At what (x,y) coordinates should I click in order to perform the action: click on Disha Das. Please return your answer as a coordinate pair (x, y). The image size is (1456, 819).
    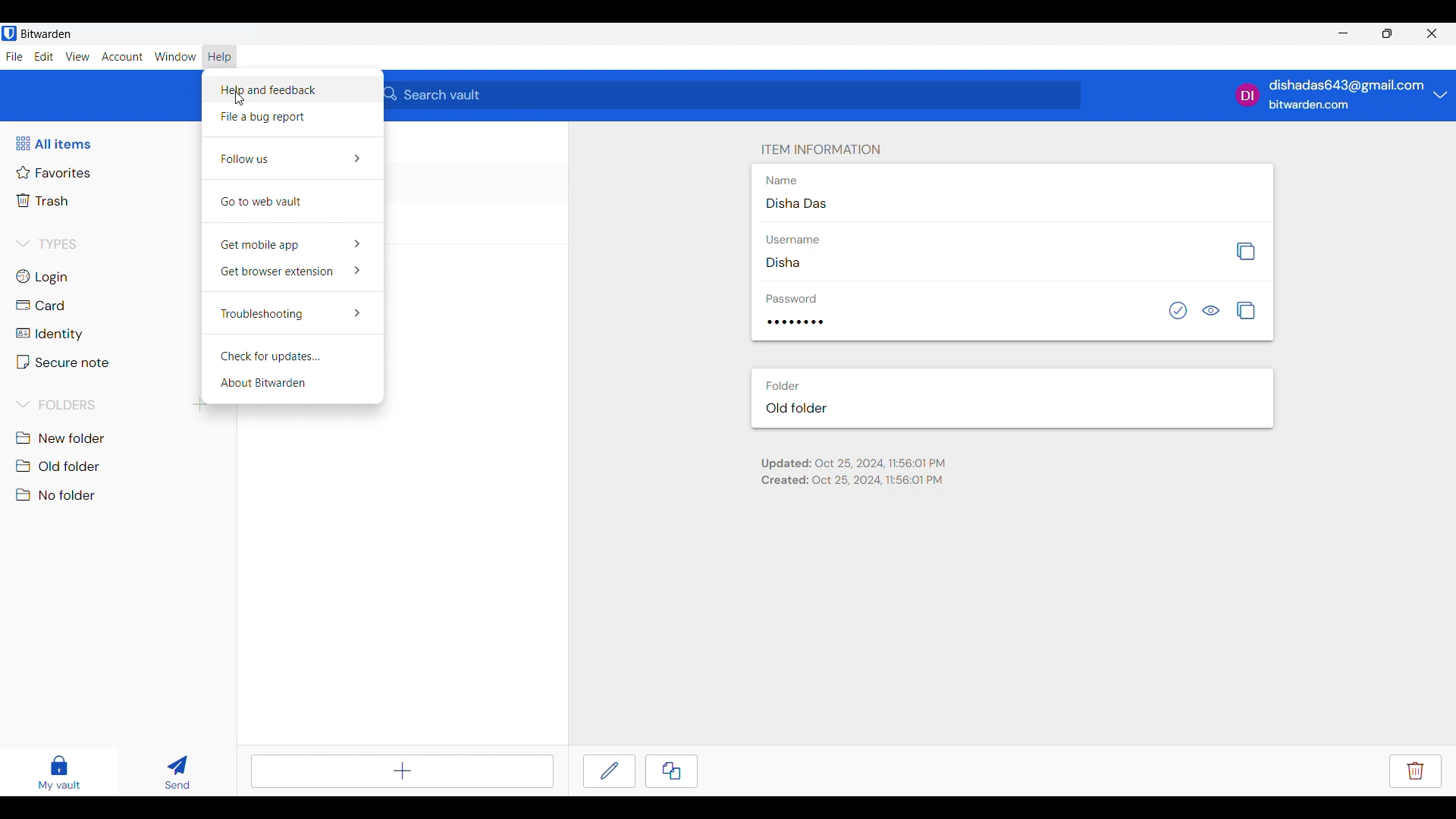
    Looking at the image, I should click on (796, 202).